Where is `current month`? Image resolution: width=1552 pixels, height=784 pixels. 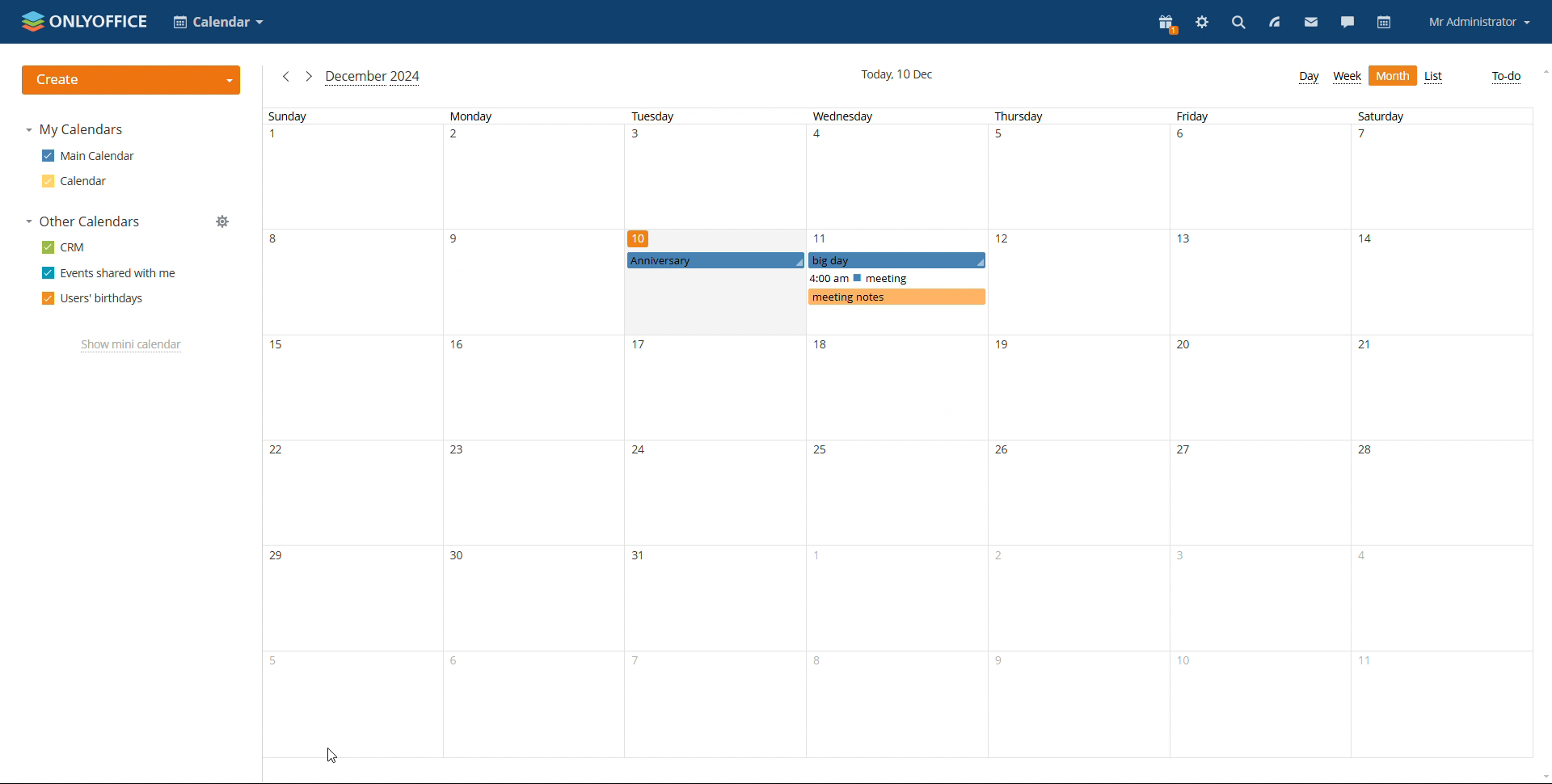
current month is located at coordinates (373, 78).